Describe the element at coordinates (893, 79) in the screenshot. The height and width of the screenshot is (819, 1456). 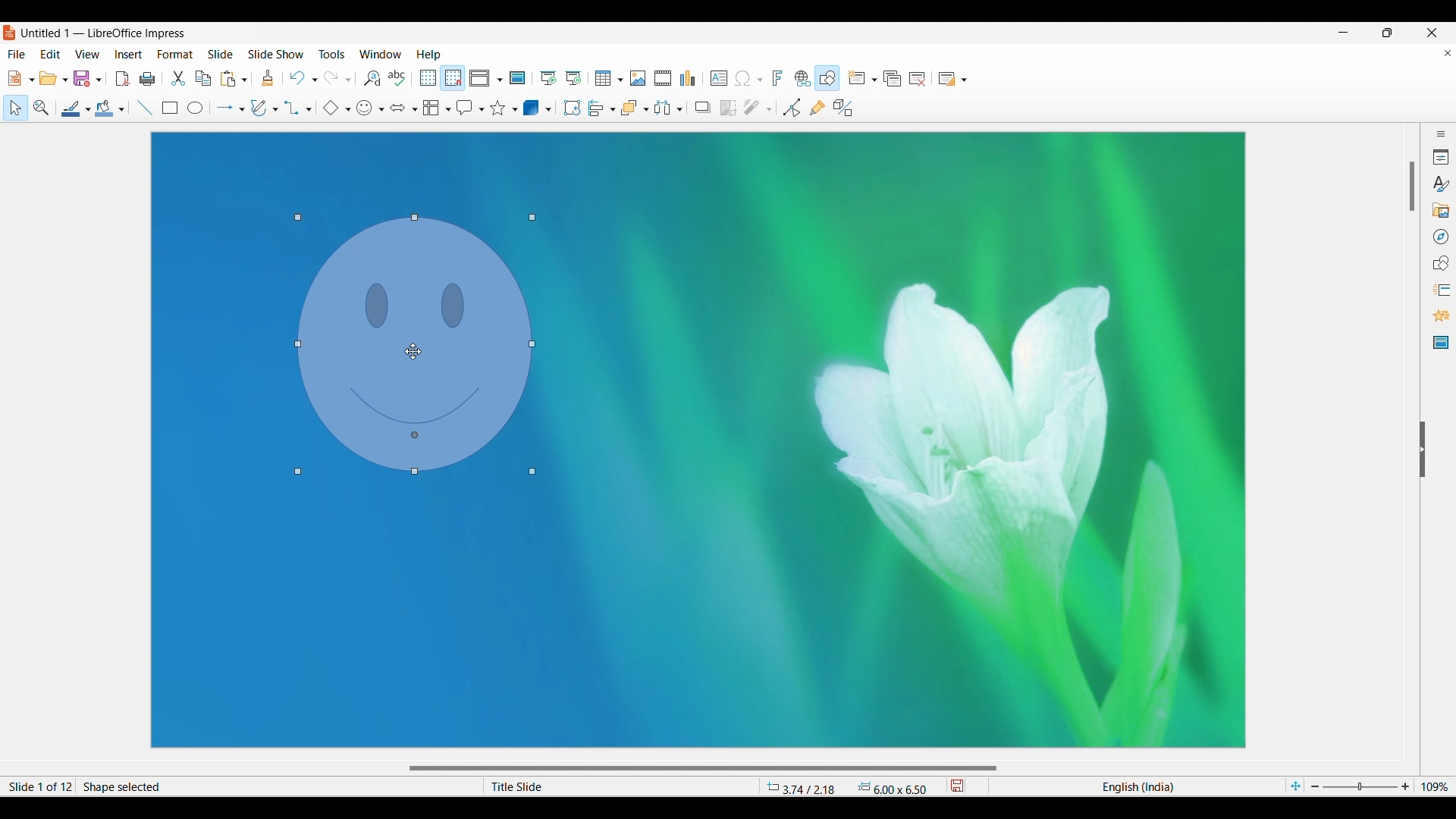
I see `Duplicate slide` at that location.